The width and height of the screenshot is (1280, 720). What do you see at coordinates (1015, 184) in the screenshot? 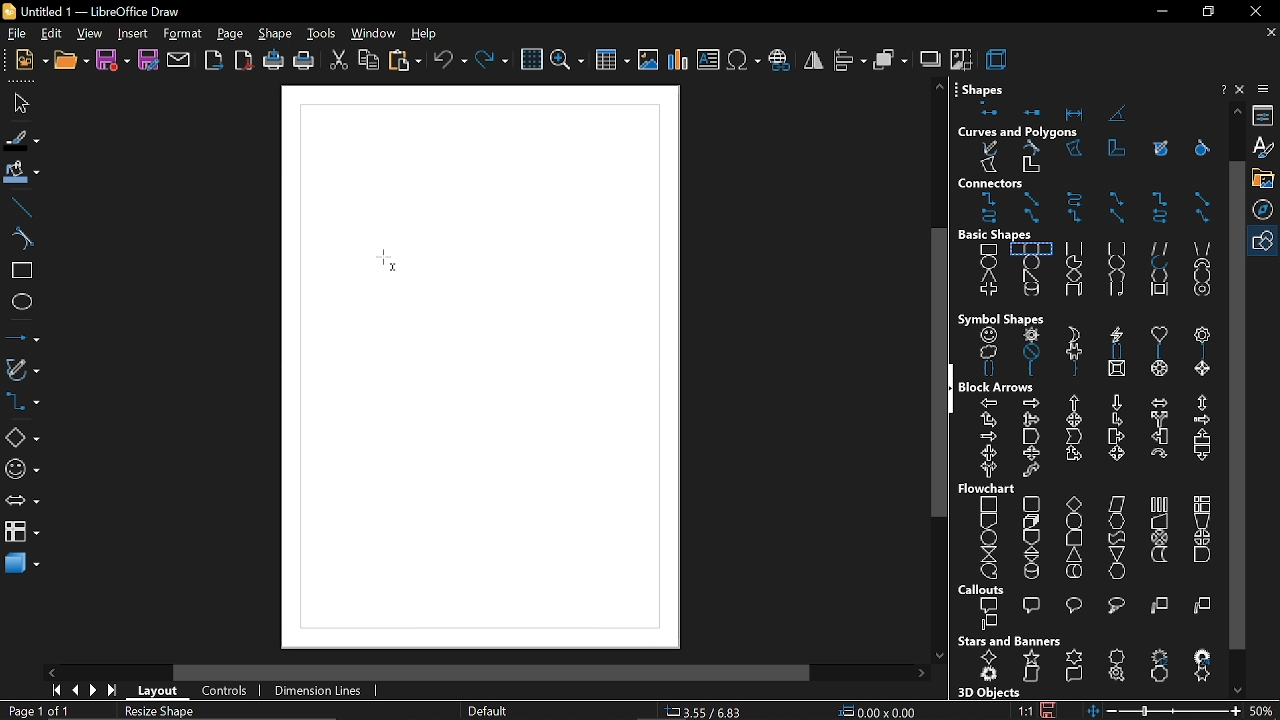
I see `connectors` at bounding box center [1015, 184].